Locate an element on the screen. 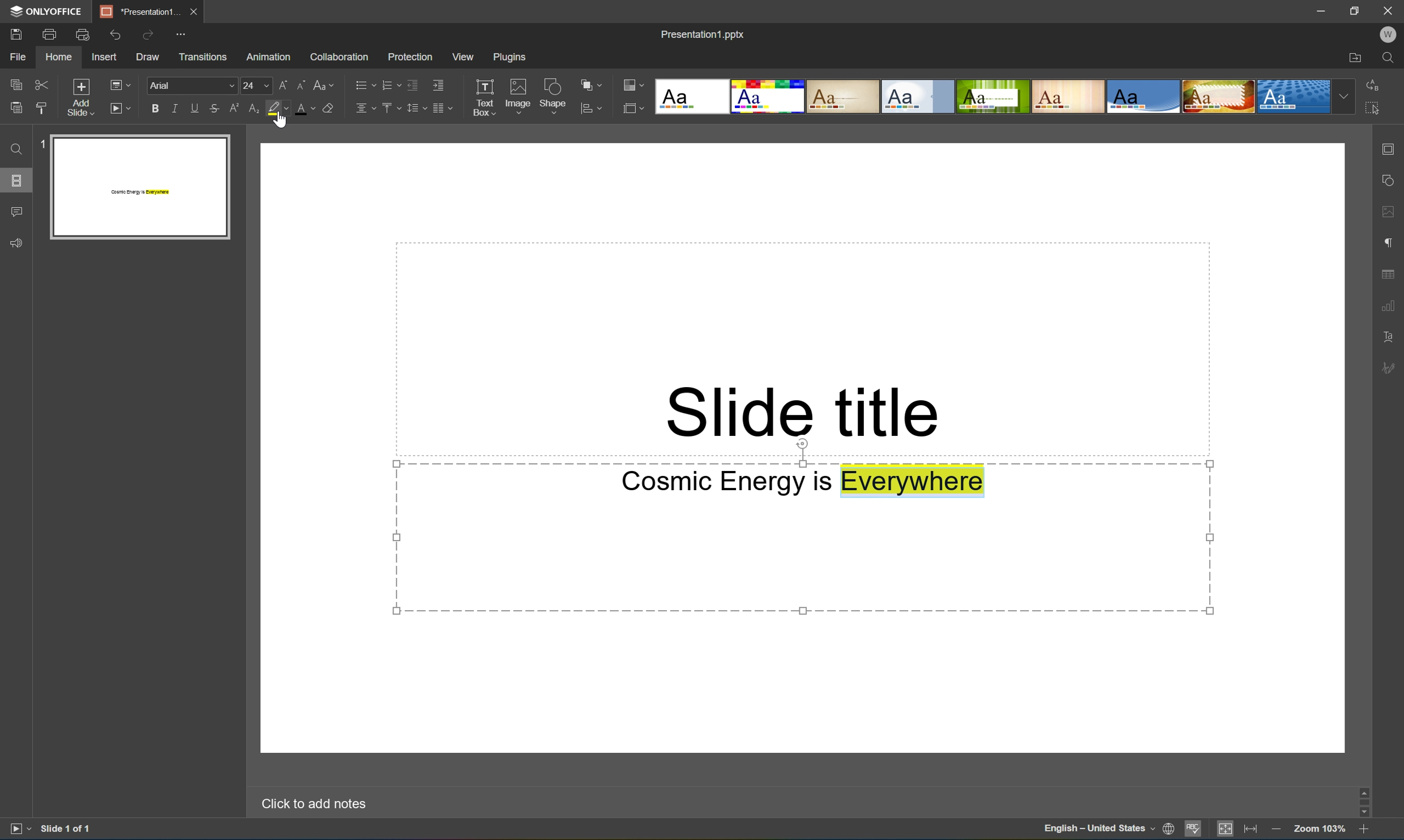 The image size is (1404, 840). Replace is located at coordinates (1373, 84).